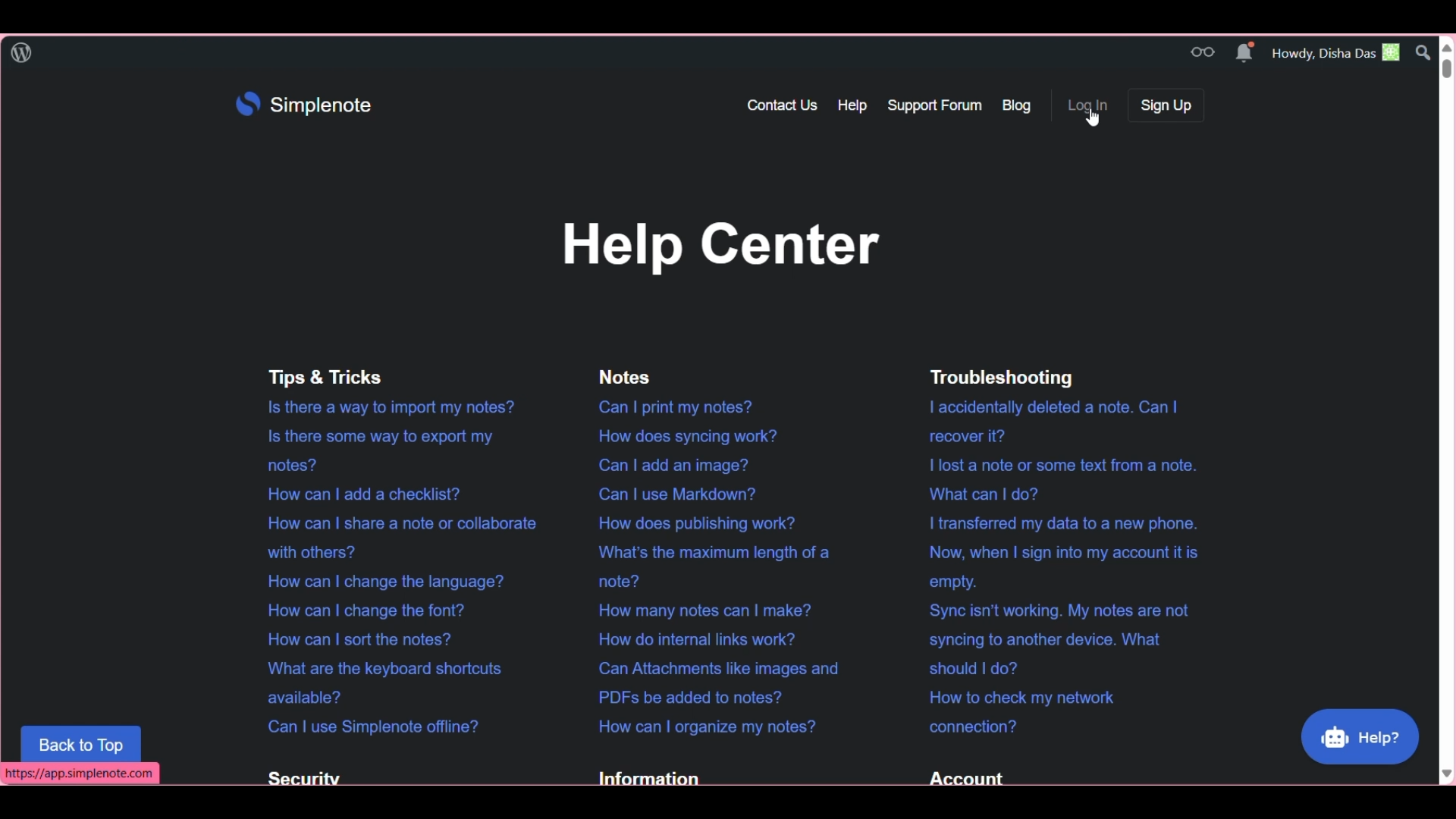 Image resolution: width=1456 pixels, height=819 pixels. I want to click on Notes, so click(626, 375).